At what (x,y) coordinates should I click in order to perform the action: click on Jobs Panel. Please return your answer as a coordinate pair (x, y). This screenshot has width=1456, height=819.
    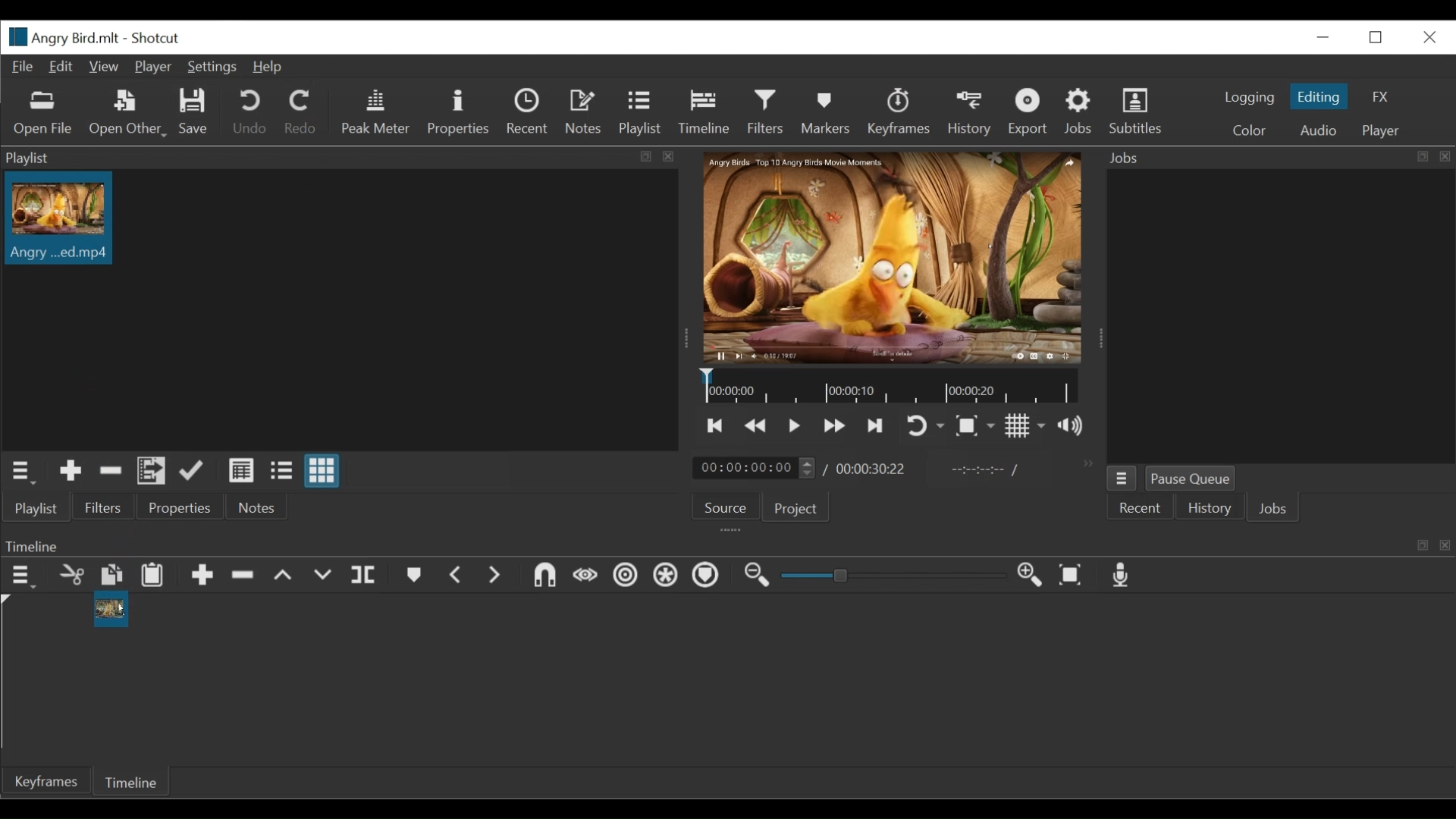
    Looking at the image, I should click on (1275, 158).